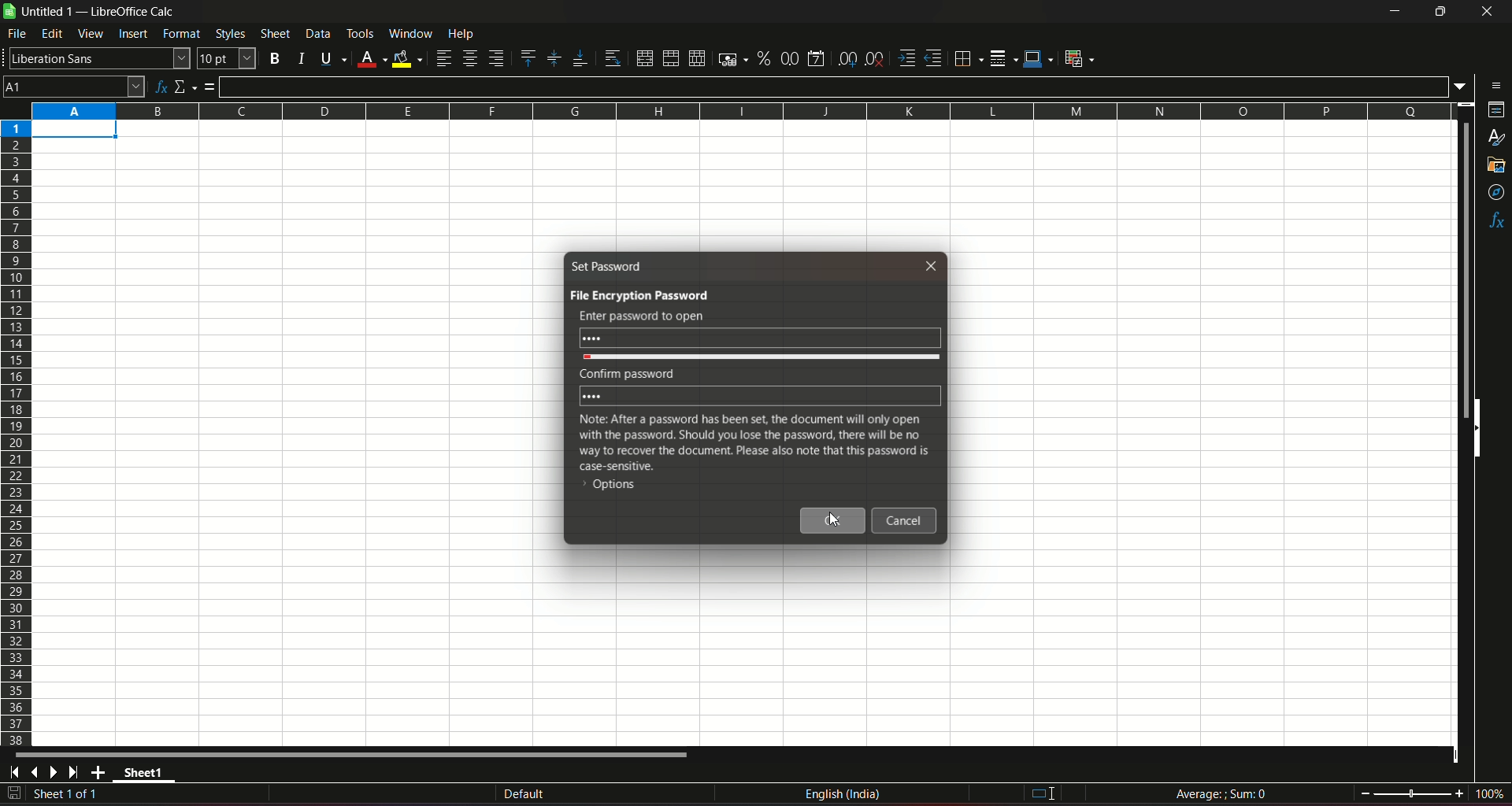  What do you see at coordinates (624, 372) in the screenshot?
I see `text` at bounding box center [624, 372].